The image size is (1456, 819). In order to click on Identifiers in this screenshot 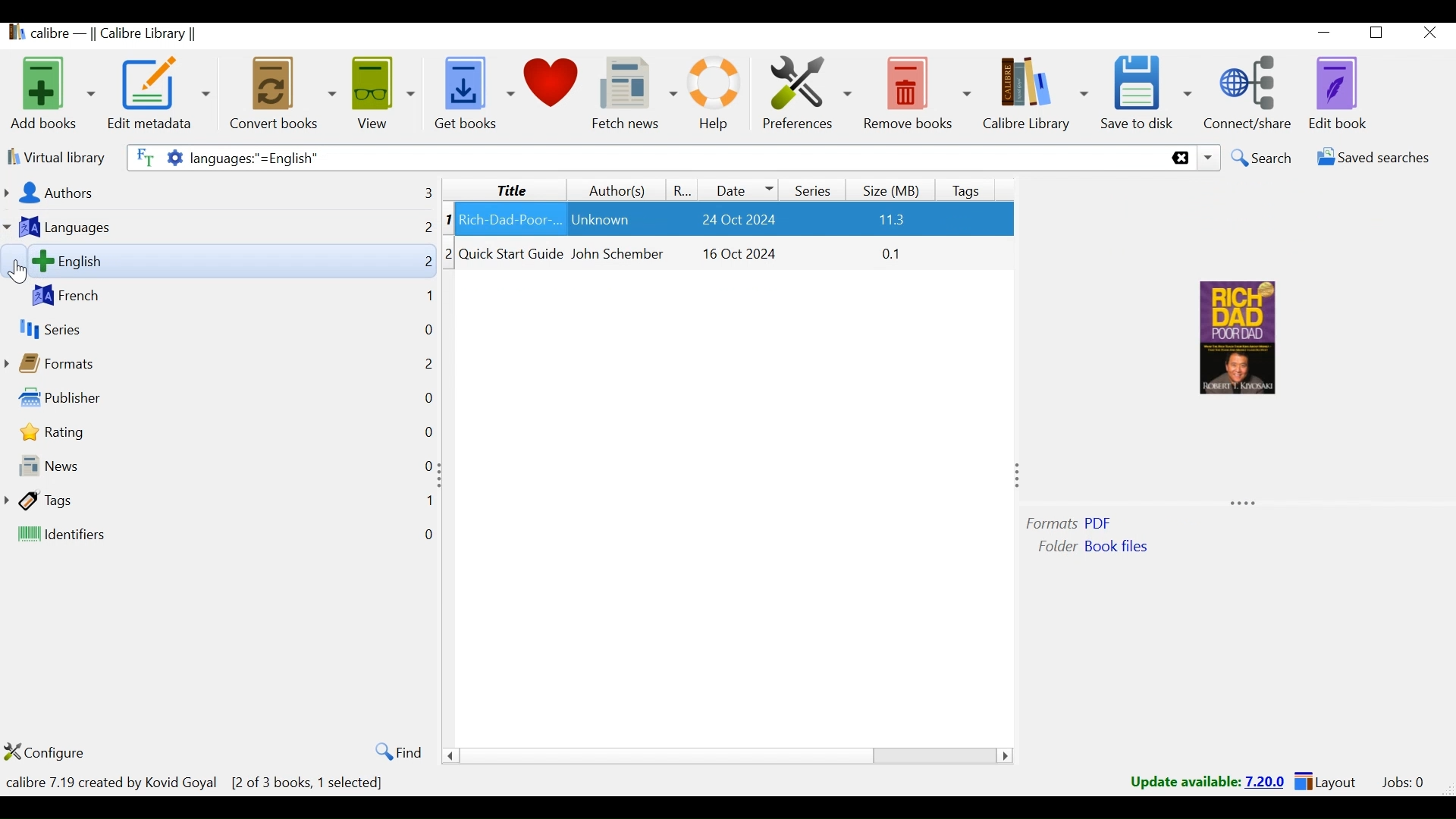, I will do `click(135, 536)`.